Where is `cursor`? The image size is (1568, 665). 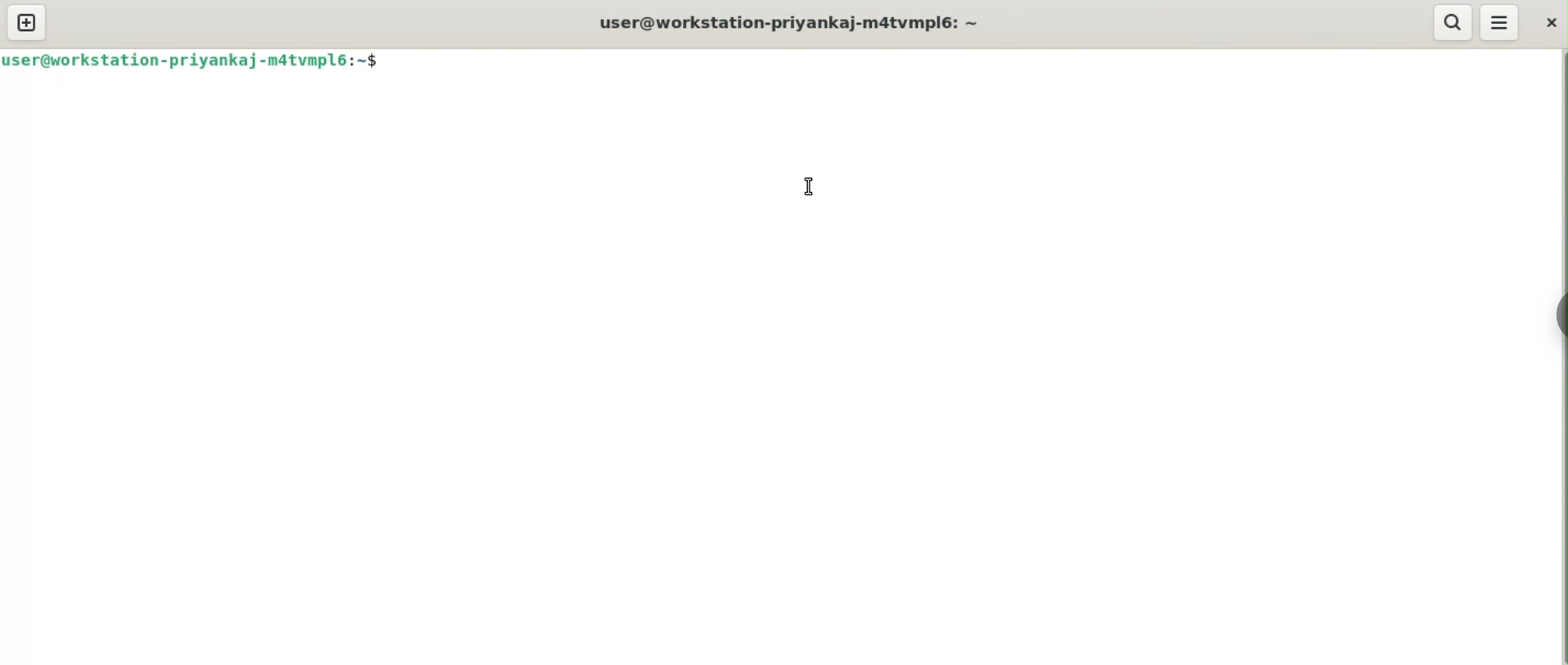
cursor is located at coordinates (812, 187).